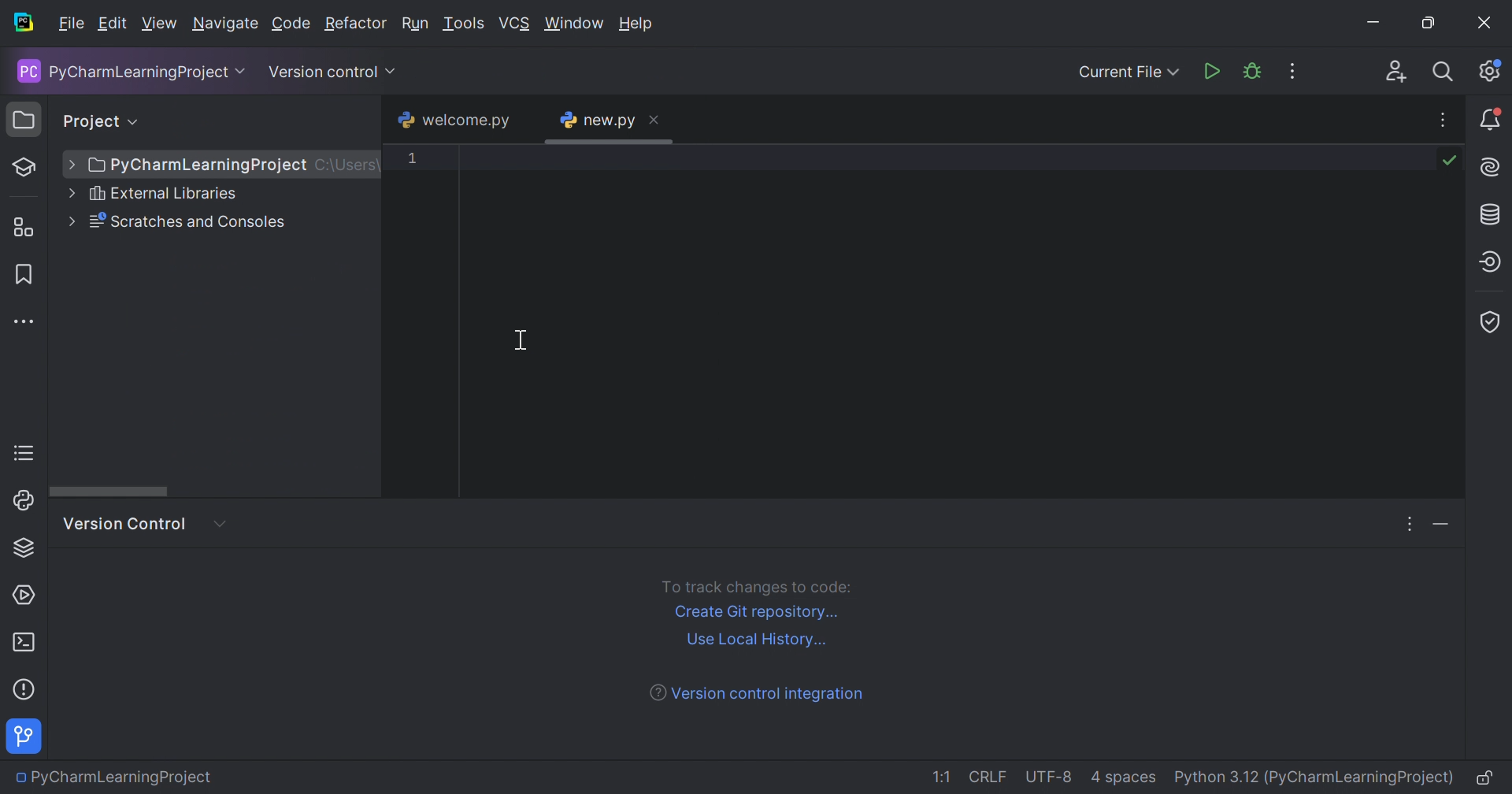  I want to click on 1, so click(414, 159).